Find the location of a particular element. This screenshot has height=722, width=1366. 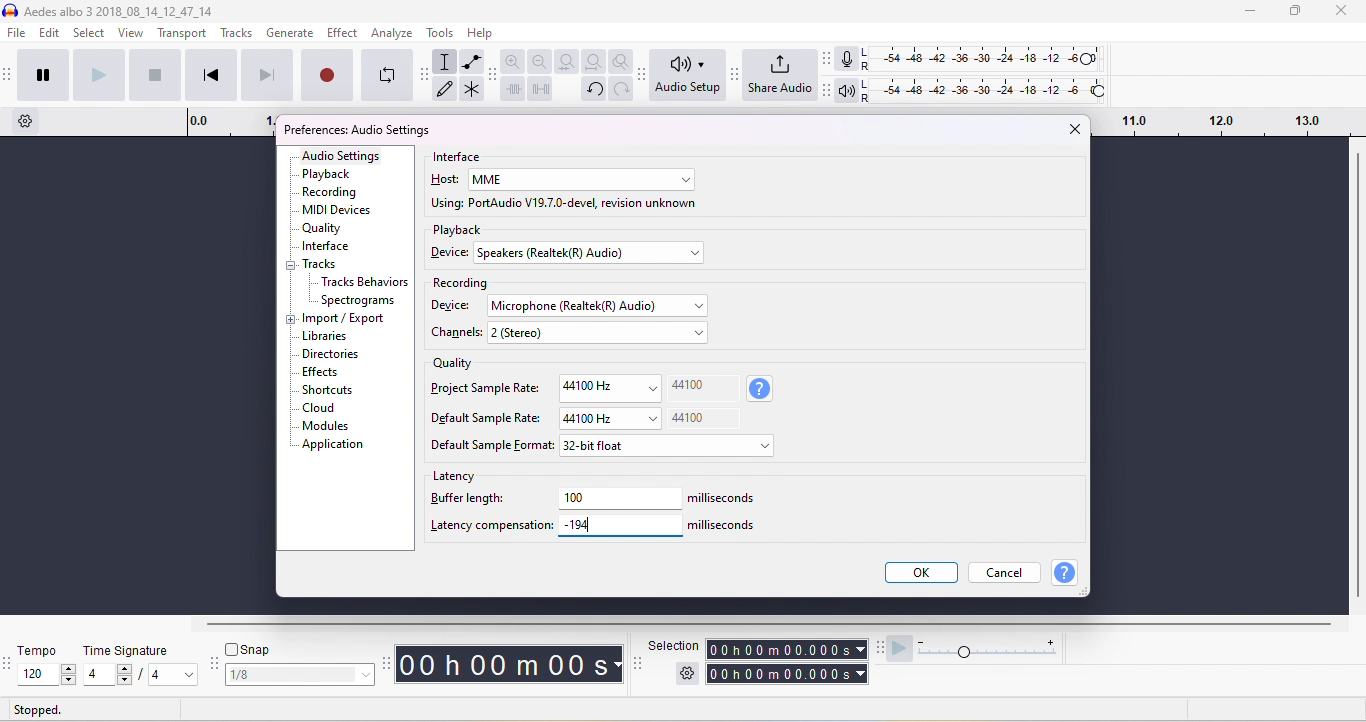

audacity time tool bar is located at coordinates (389, 662).